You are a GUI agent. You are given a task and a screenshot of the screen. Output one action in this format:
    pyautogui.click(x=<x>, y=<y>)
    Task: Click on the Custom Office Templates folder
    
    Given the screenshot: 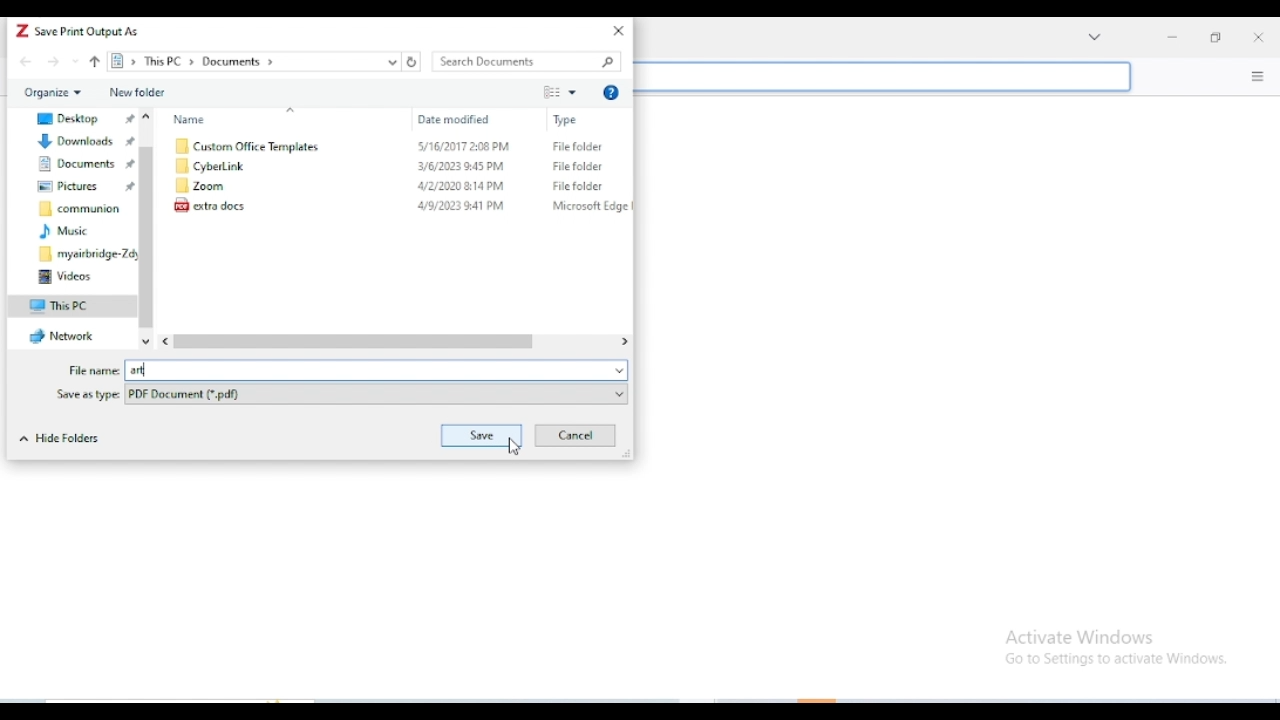 What is the action you would take?
    pyautogui.click(x=245, y=146)
    